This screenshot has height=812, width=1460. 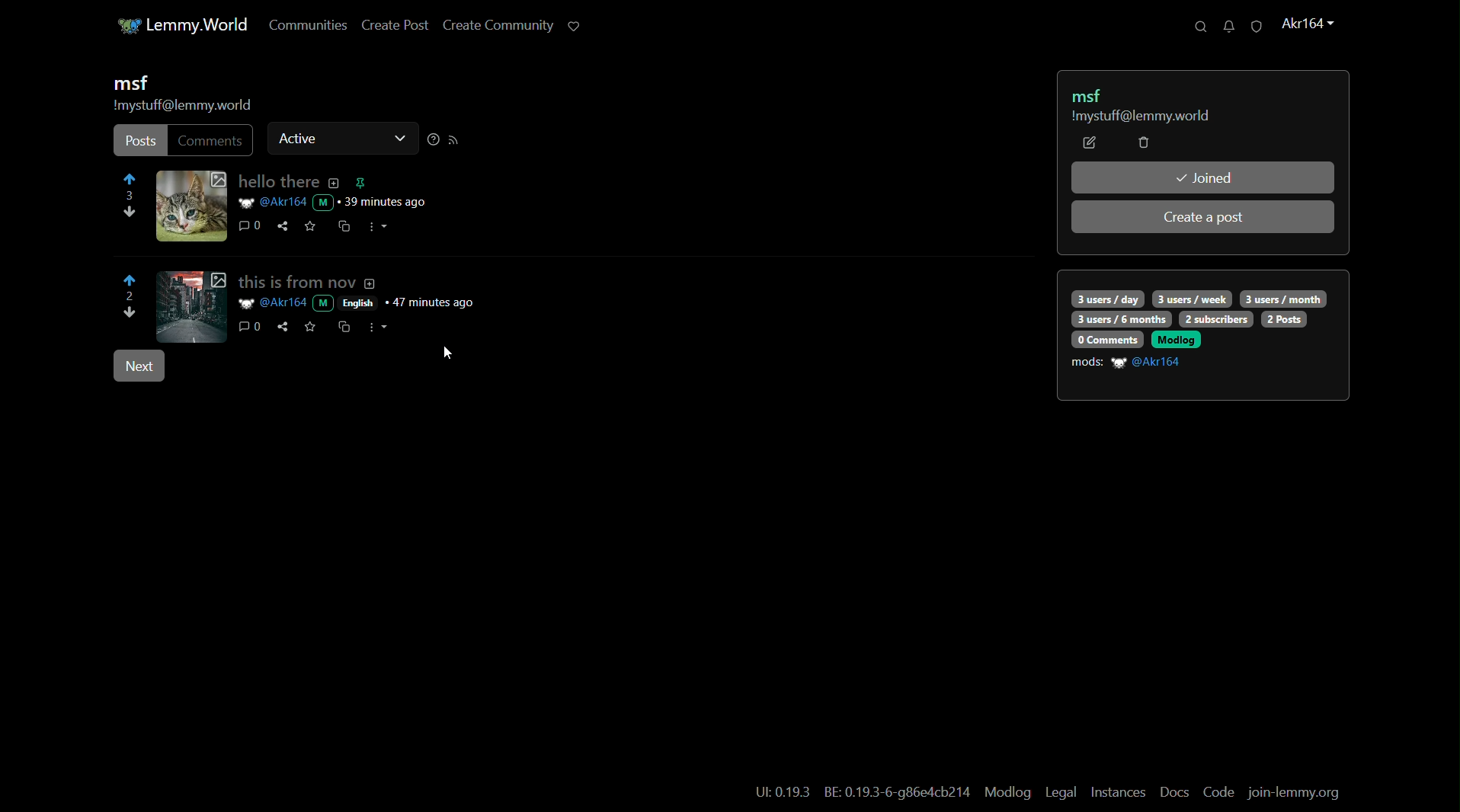 What do you see at coordinates (1282, 298) in the screenshot?
I see `3 users per month` at bounding box center [1282, 298].